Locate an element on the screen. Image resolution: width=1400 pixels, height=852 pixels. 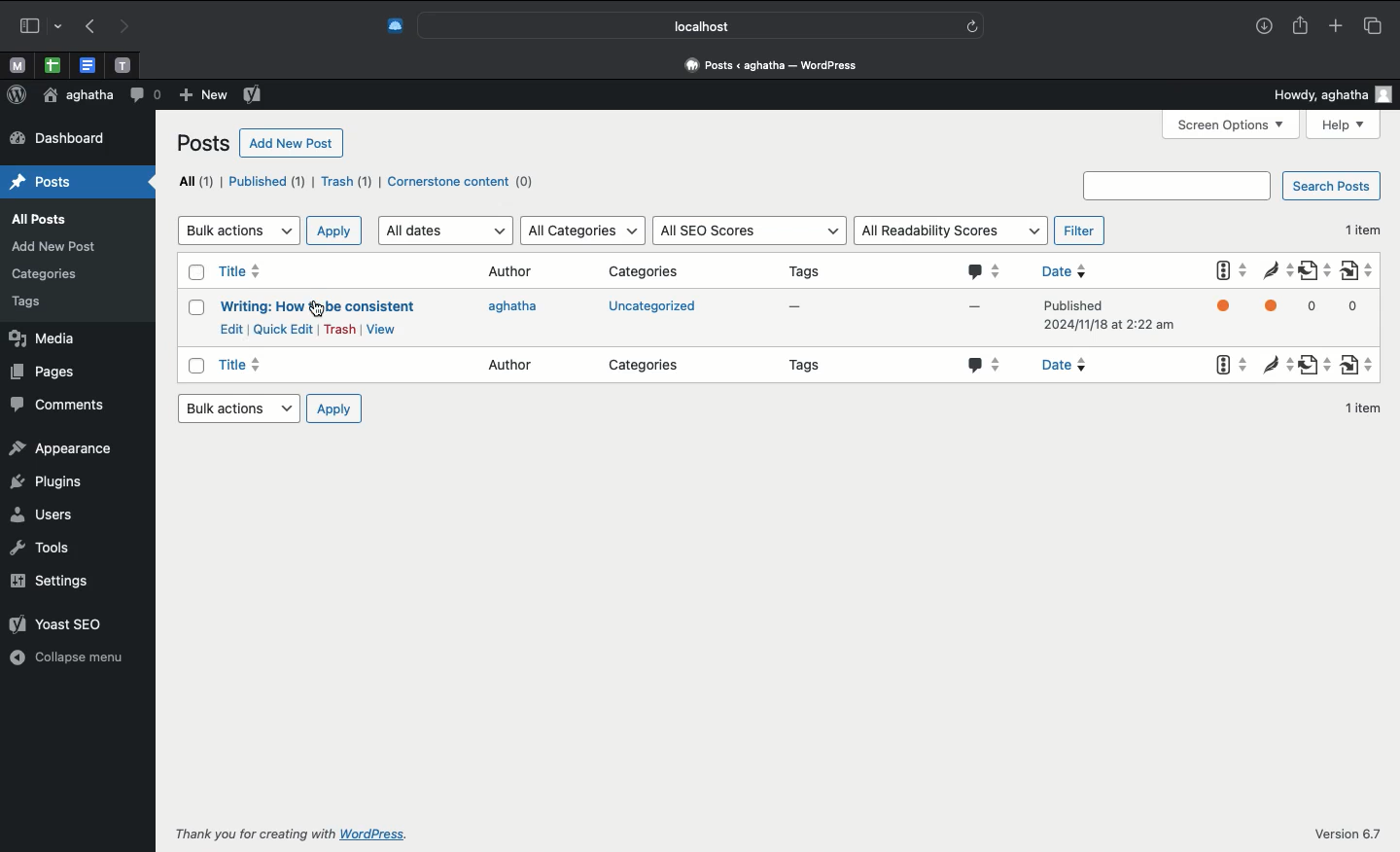
Published is located at coordinates (267, 185).